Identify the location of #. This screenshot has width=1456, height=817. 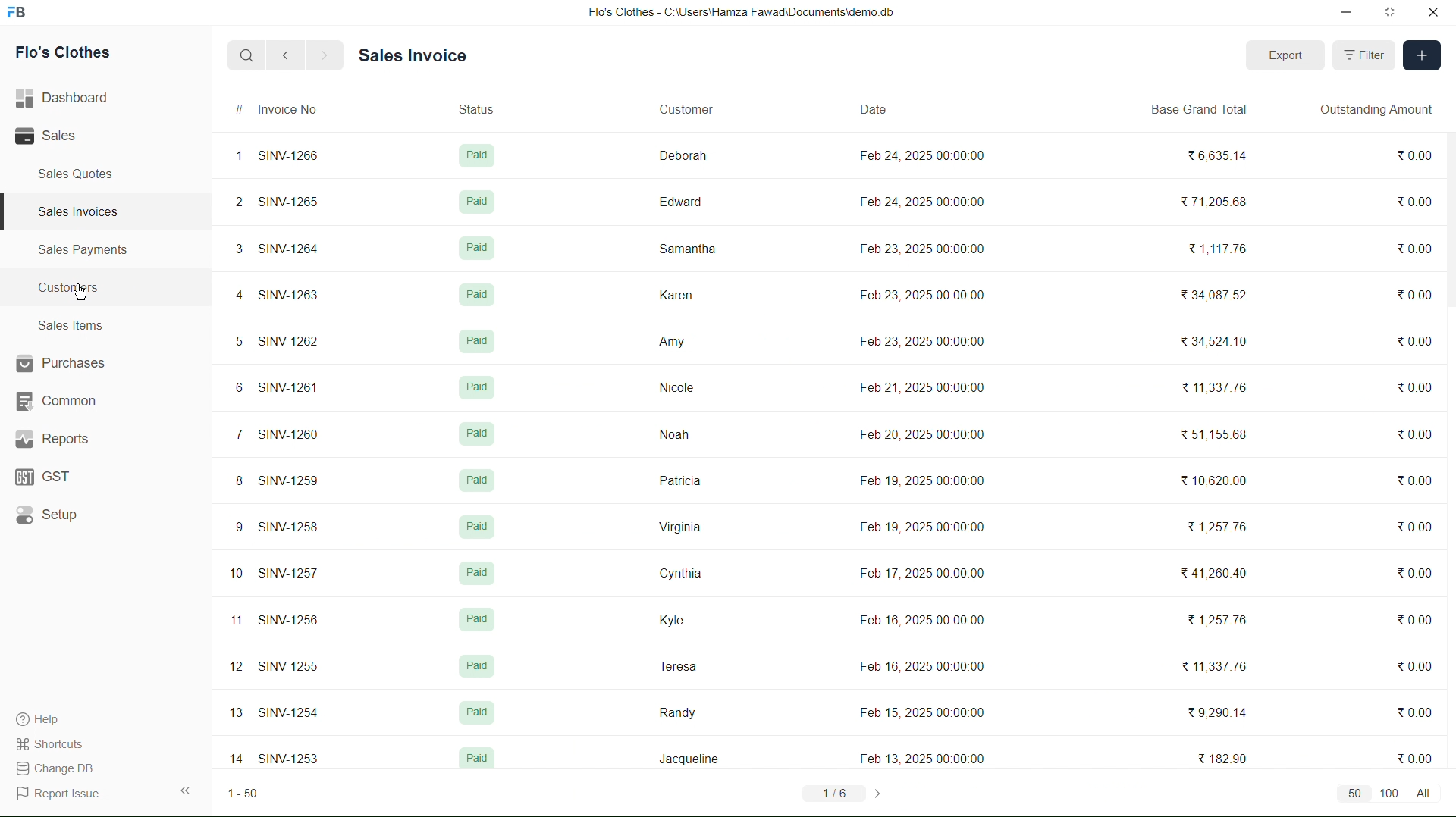
(237, 111).